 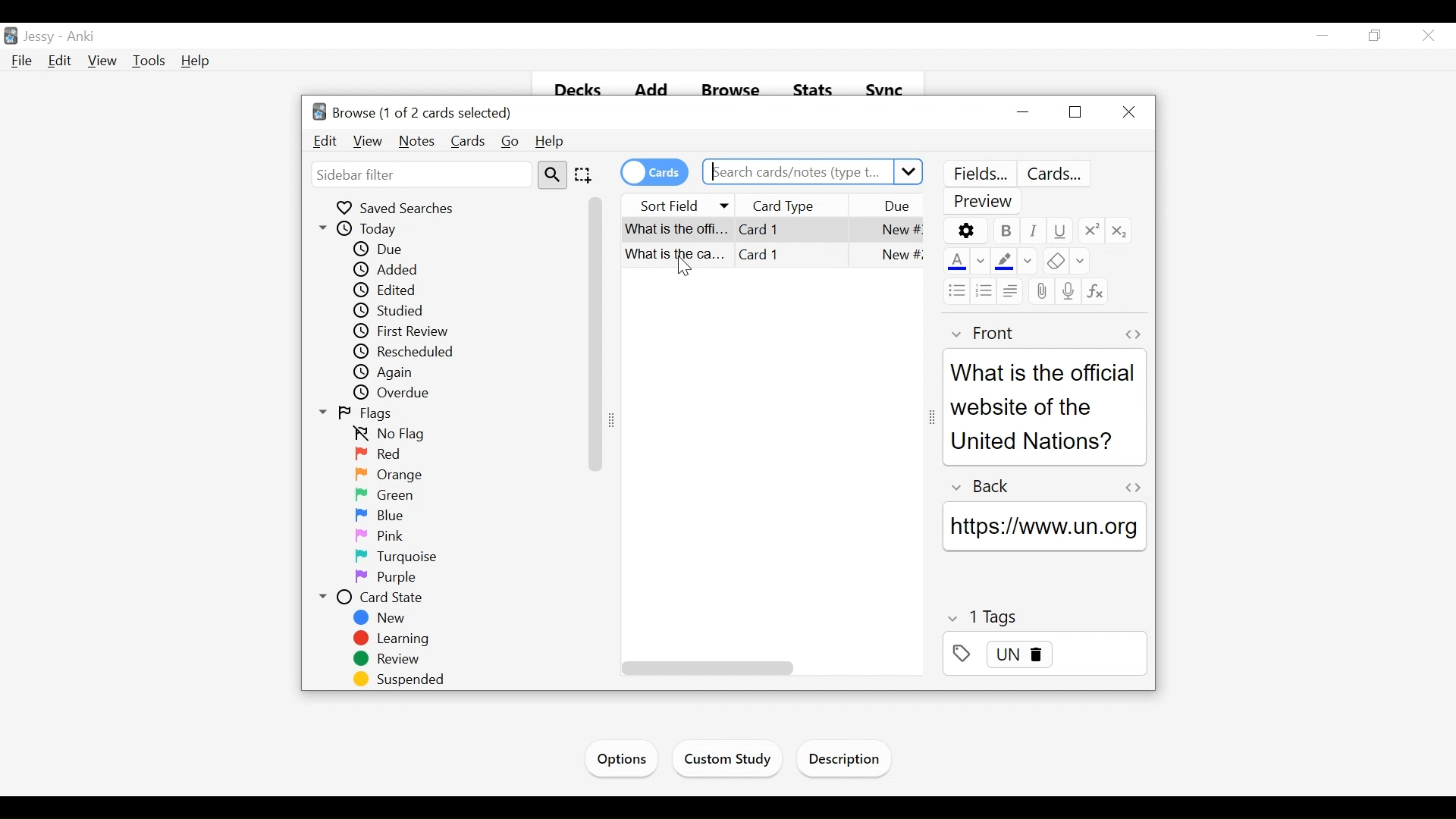 I want to click on Back Field, so click(x=1047, y=528).